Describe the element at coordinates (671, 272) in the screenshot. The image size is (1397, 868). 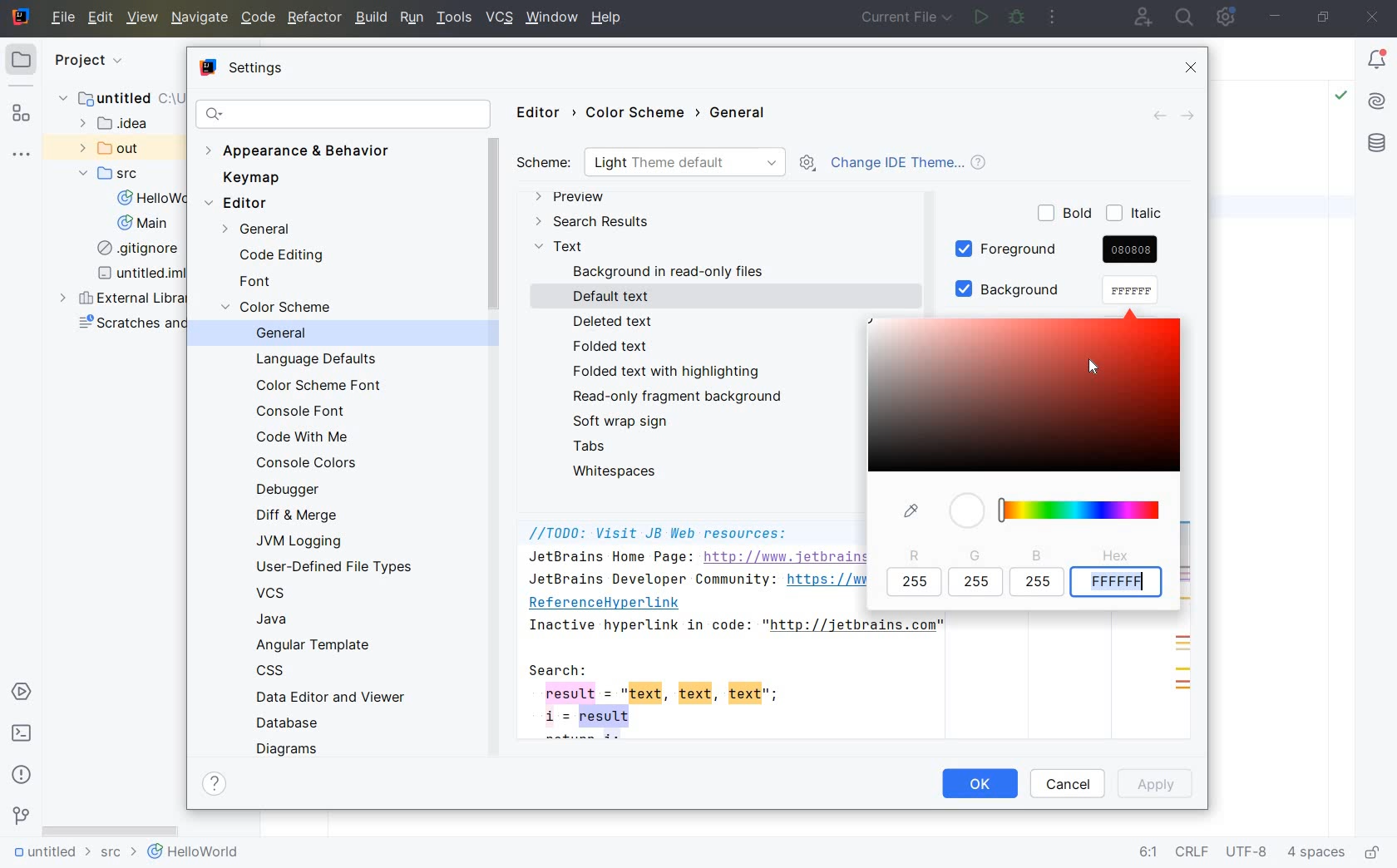
I see `BACKGROUND` at that location.